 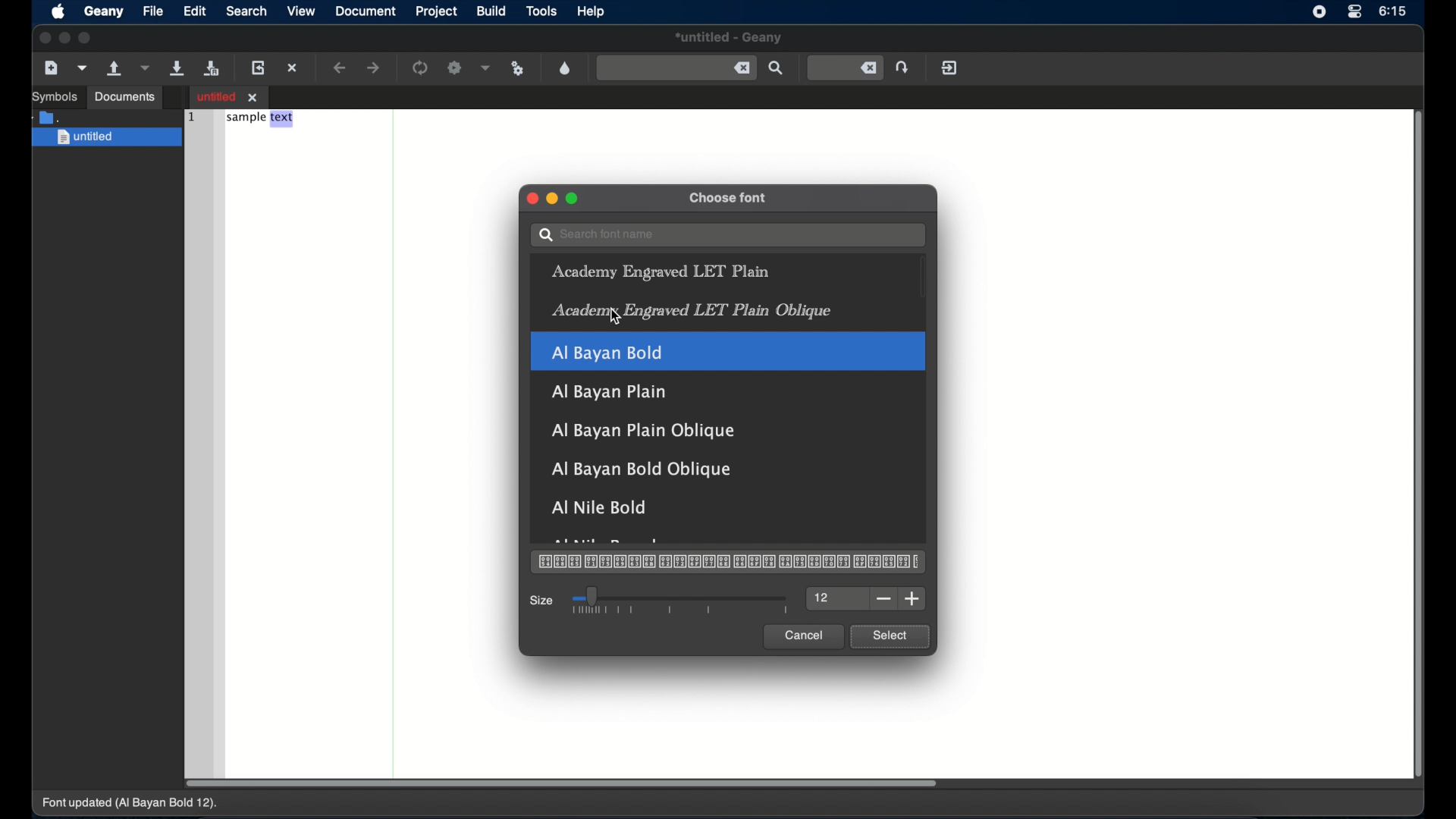 What do you see at coordinates (565, 67) in the screenshot?
I see `open a color chooser dialogue` at bounding box center [565, 67].